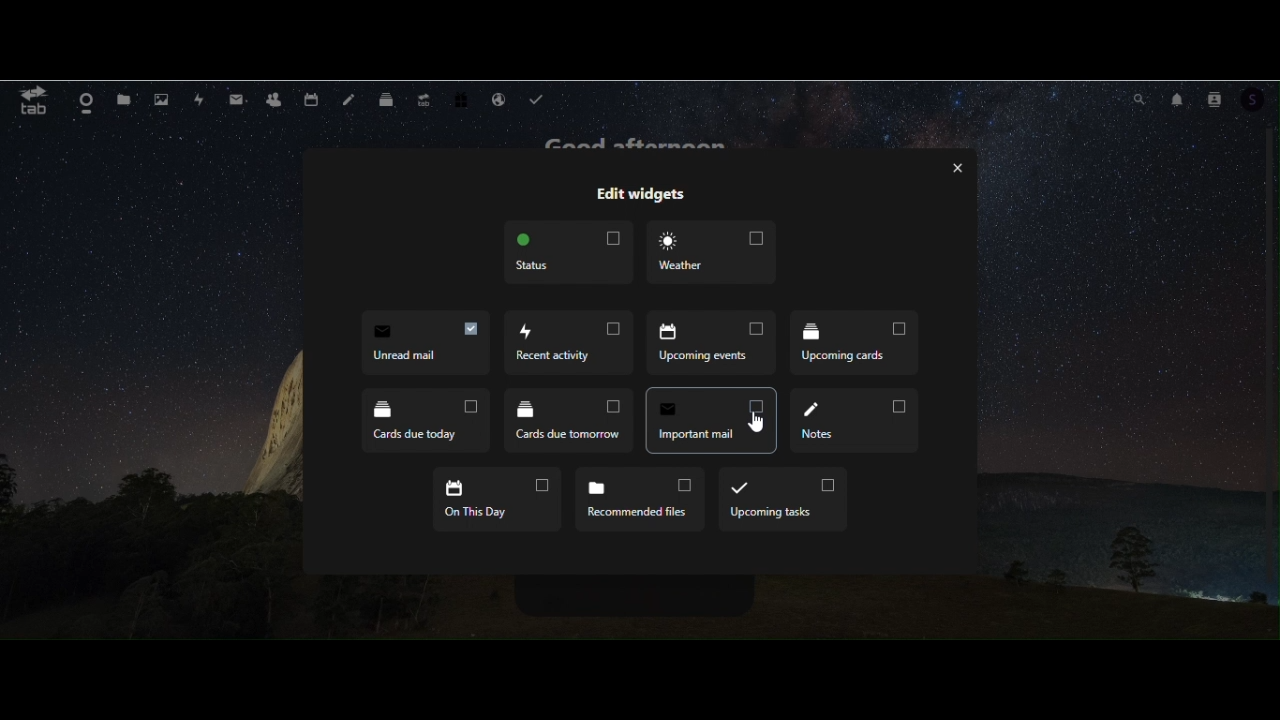 The image size is (1280, 720). I want to click on free trail, so click(463, 97).